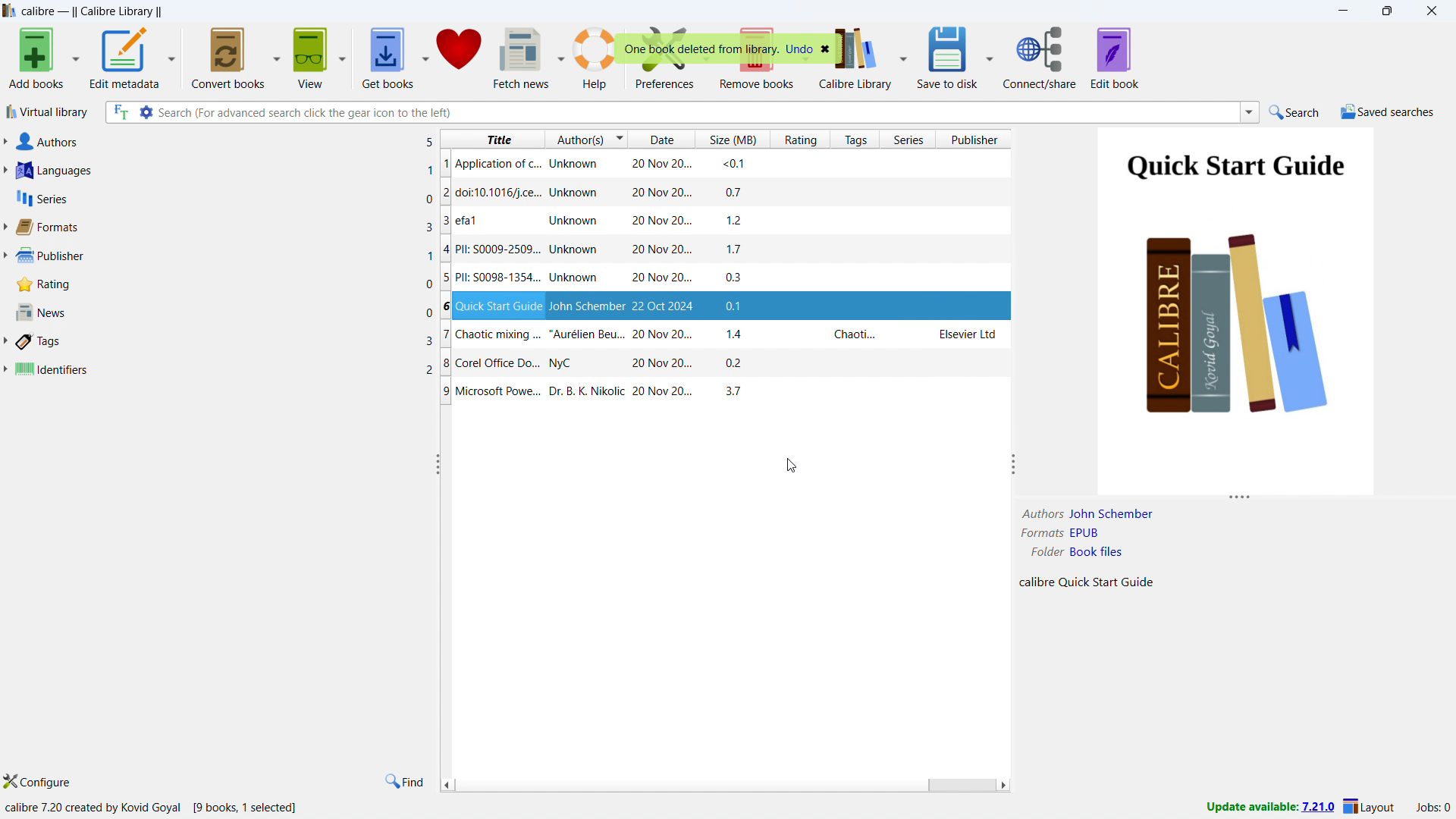 The image size is (1456, 819). I want to click on title, so click(93, 12).